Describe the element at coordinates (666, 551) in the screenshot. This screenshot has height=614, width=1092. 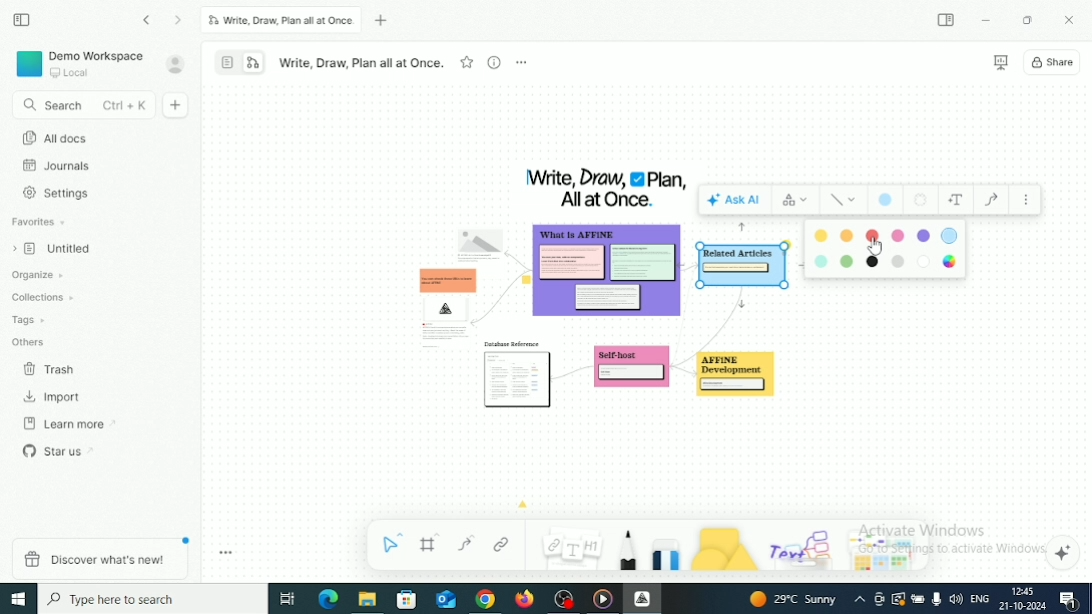
I see `Eraser` at that location.